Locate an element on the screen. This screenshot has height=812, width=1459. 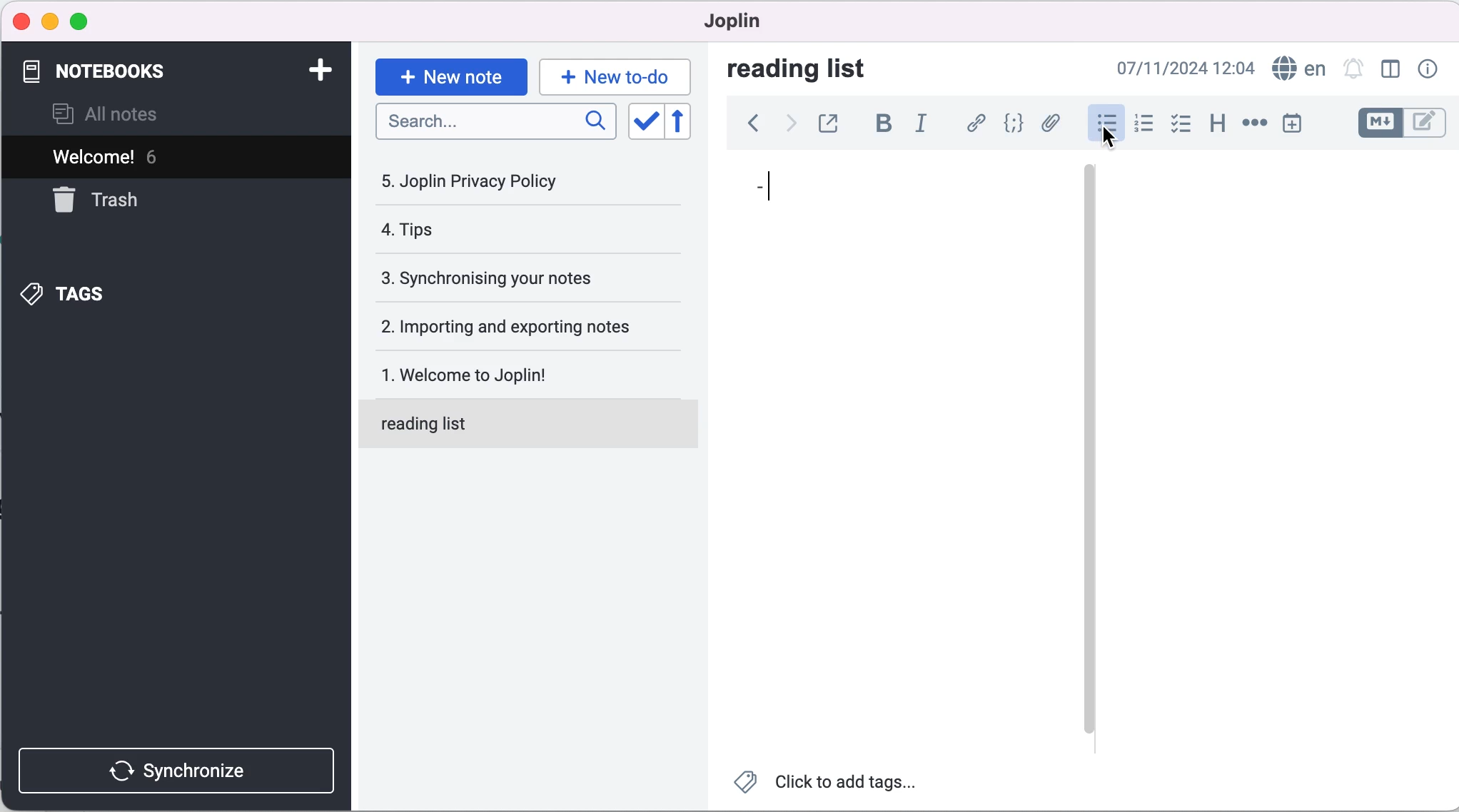
checkbox is located at coordinates (1183, 126).